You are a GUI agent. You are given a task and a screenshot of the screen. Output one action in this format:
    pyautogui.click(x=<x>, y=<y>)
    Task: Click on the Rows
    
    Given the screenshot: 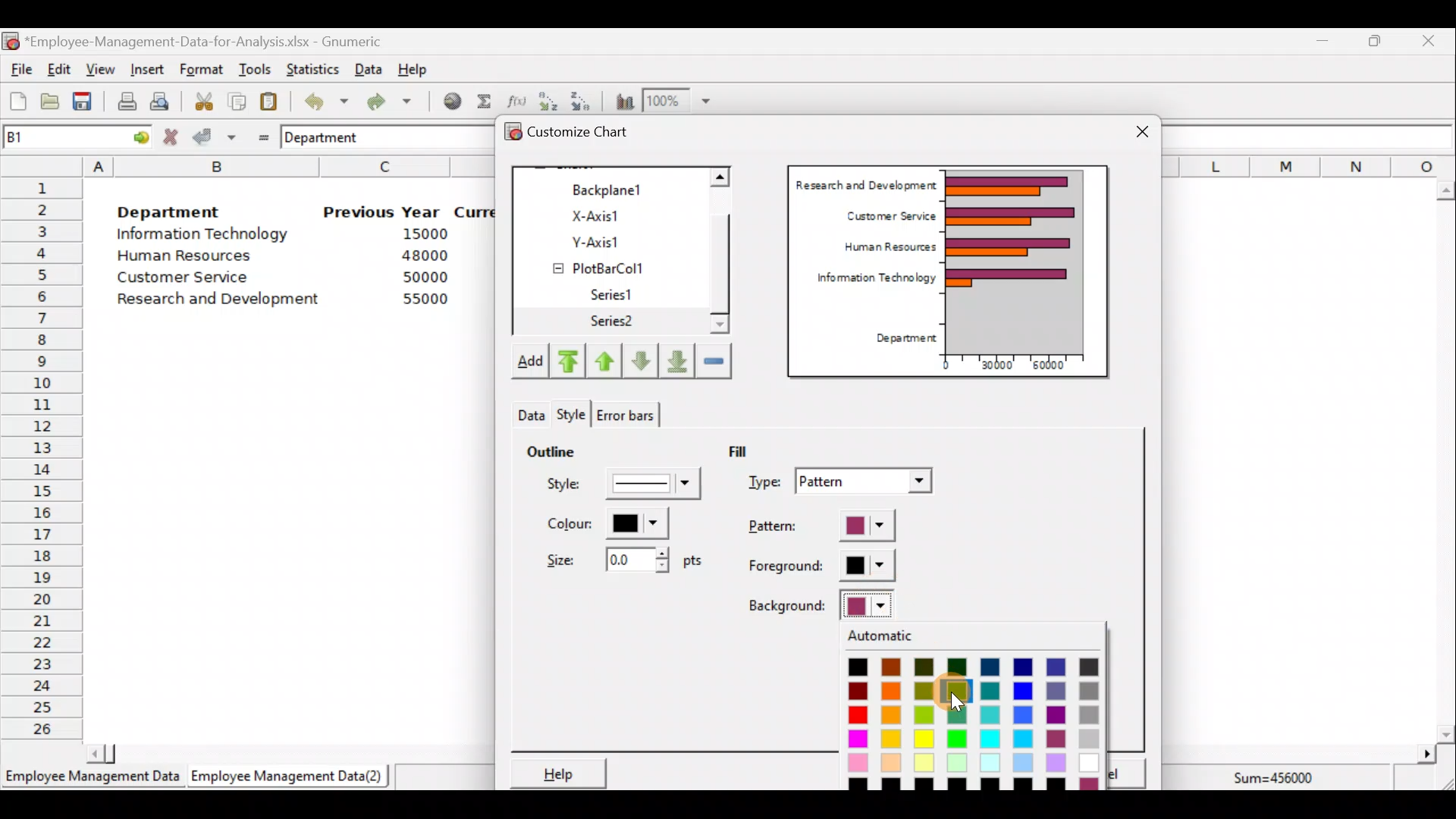 What is the action you would take?
    pyautogui.click(x=42, y=456)
    